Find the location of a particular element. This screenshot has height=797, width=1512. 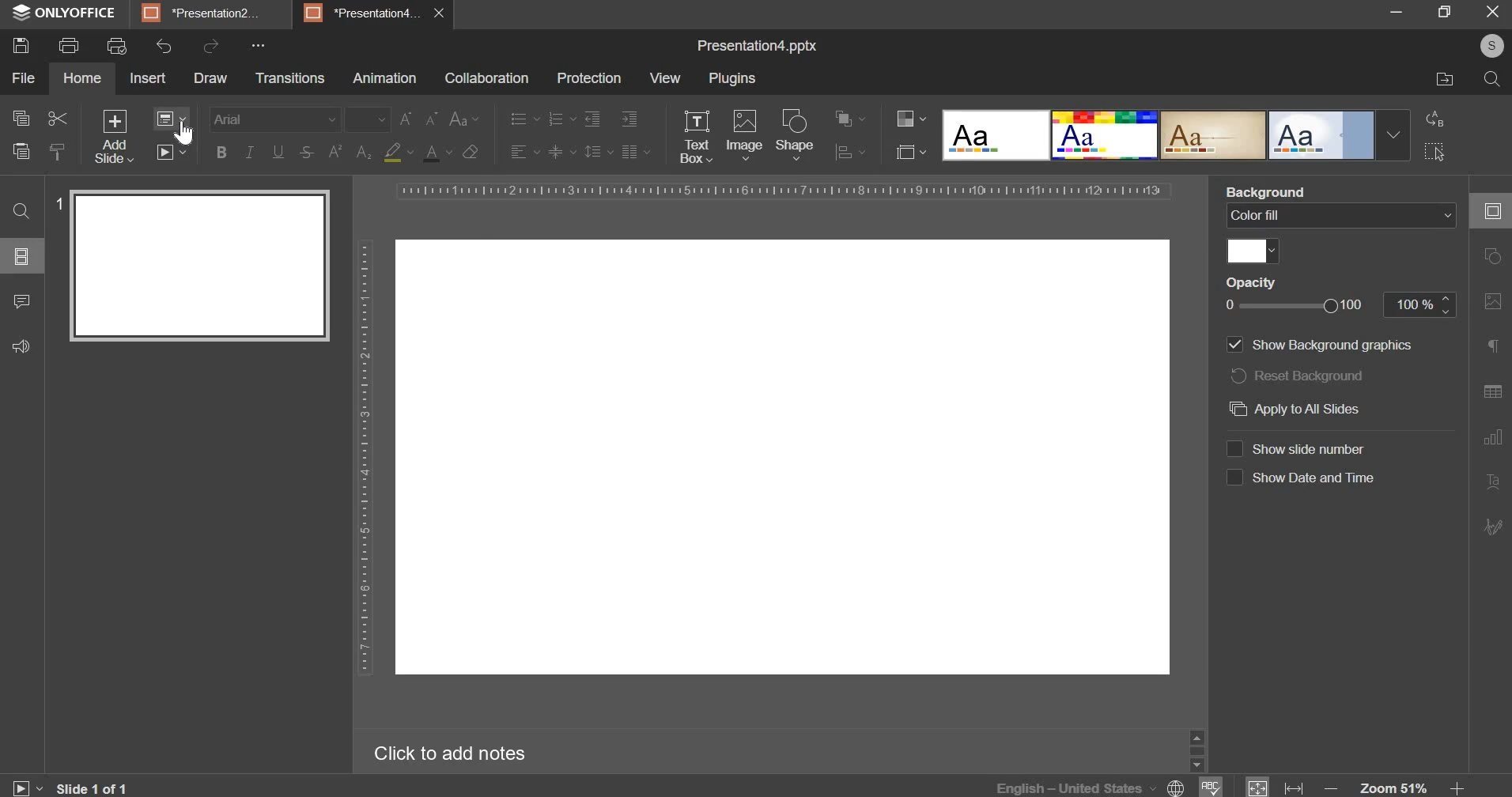

design is located at coordinates (1106, 136).